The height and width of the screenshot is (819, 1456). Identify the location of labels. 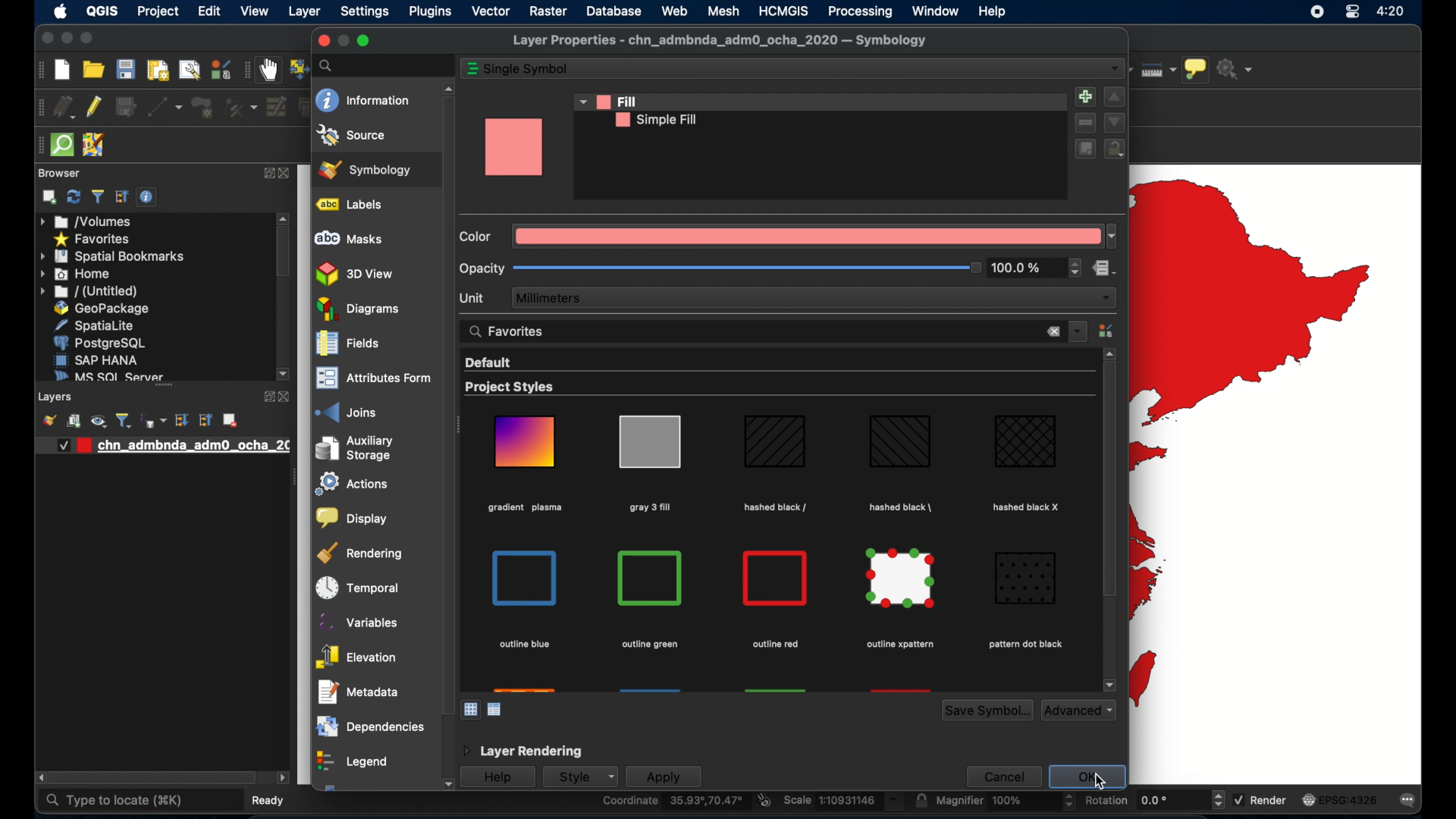
(353, 205).